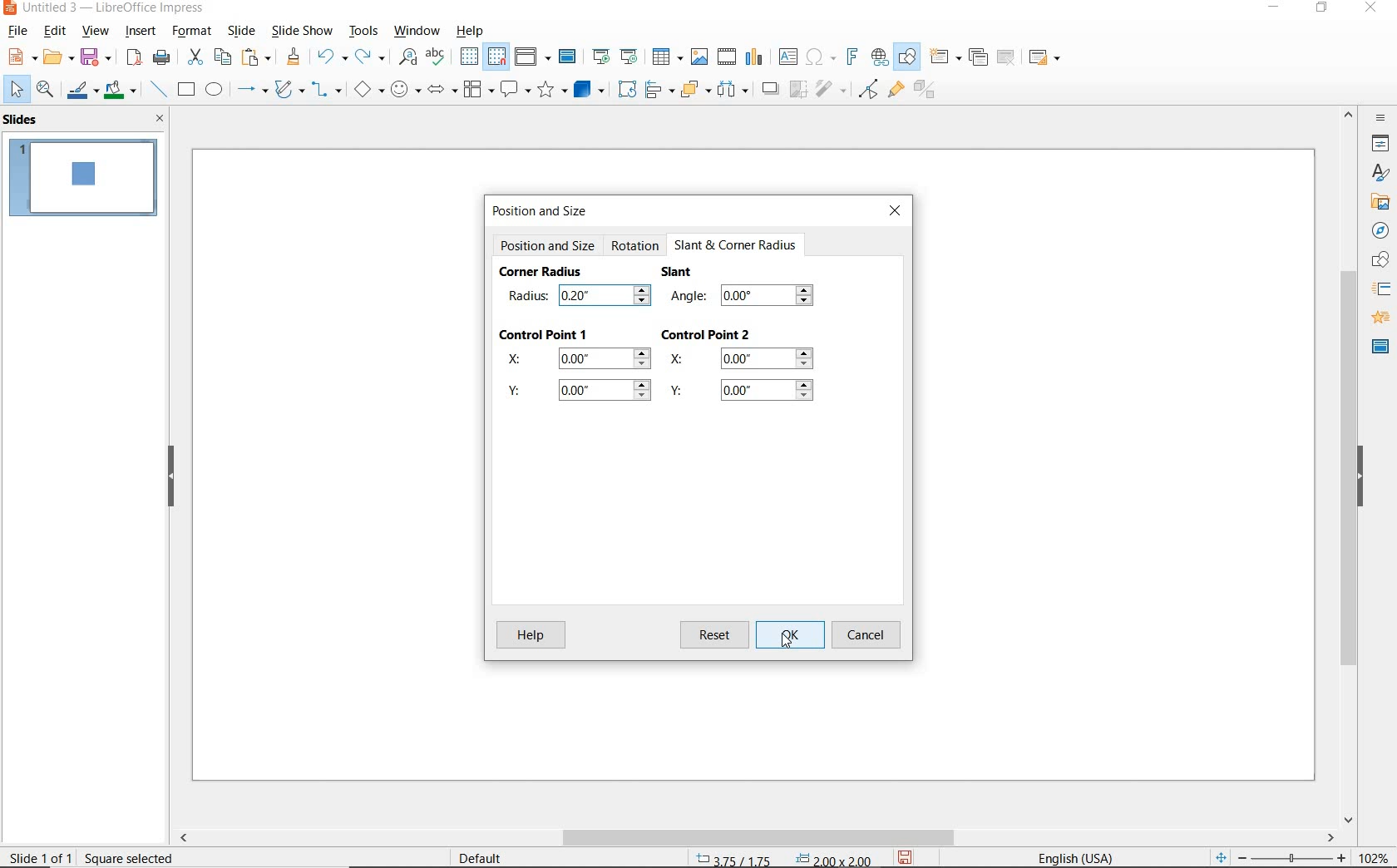 This screenshot has width=1397, height=868. I want to click on hide, so click(1360, 477).